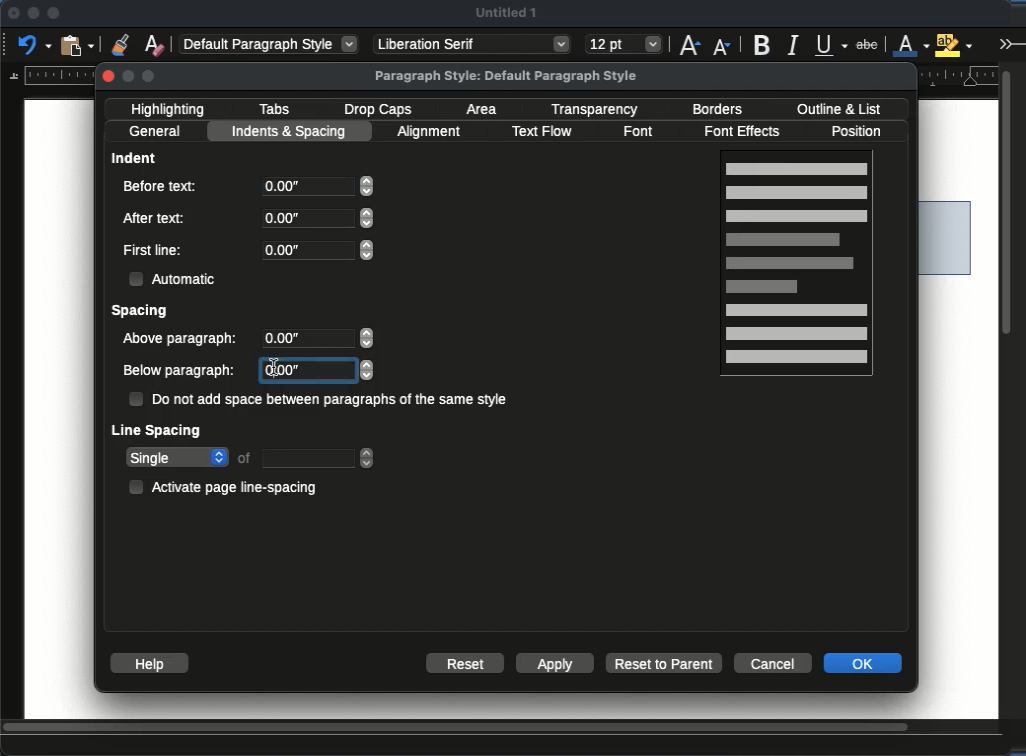  I want to click on transparency, so click(596, 110).